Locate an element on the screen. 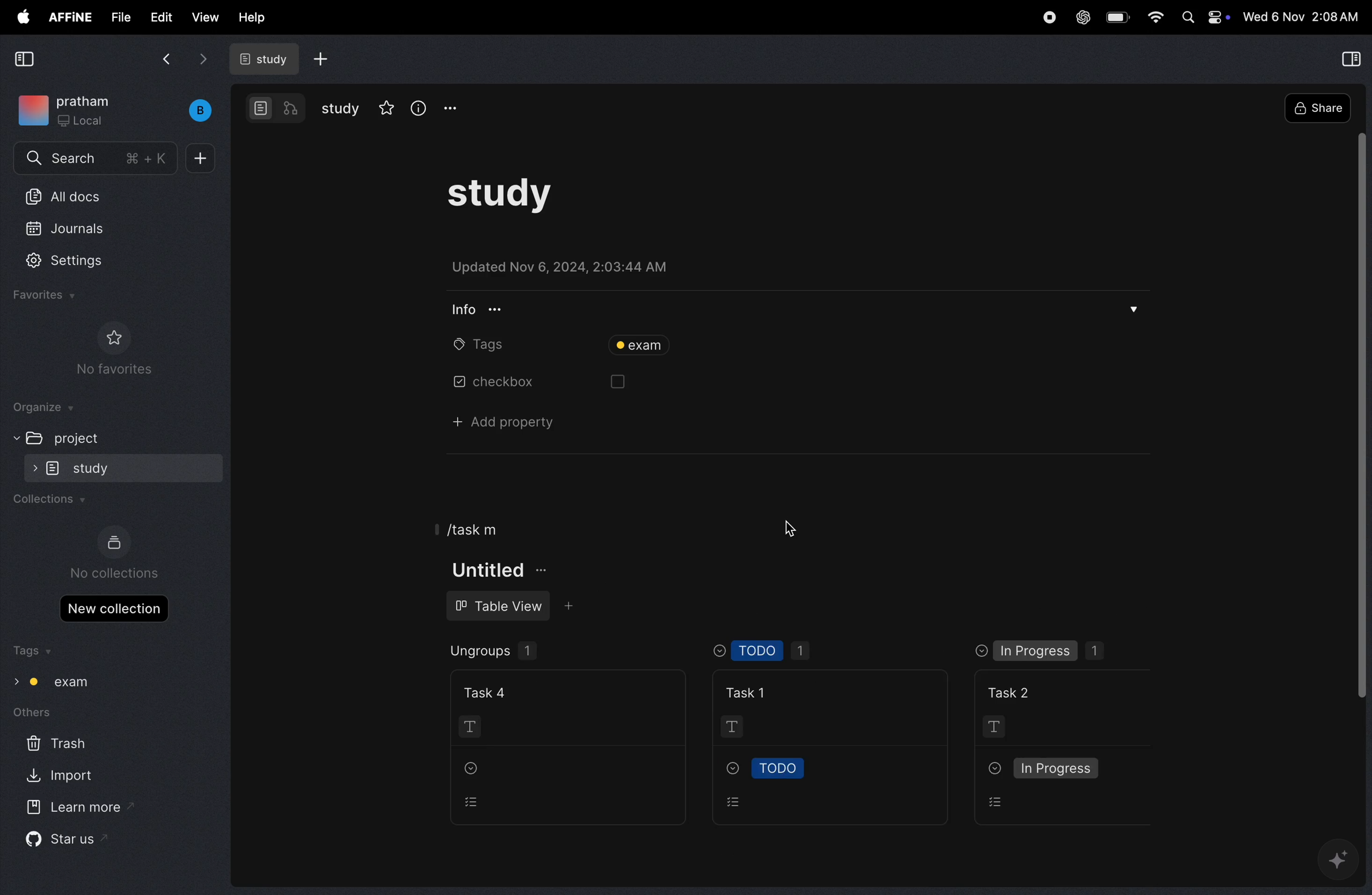  organize is located at coordinates (47, 407).